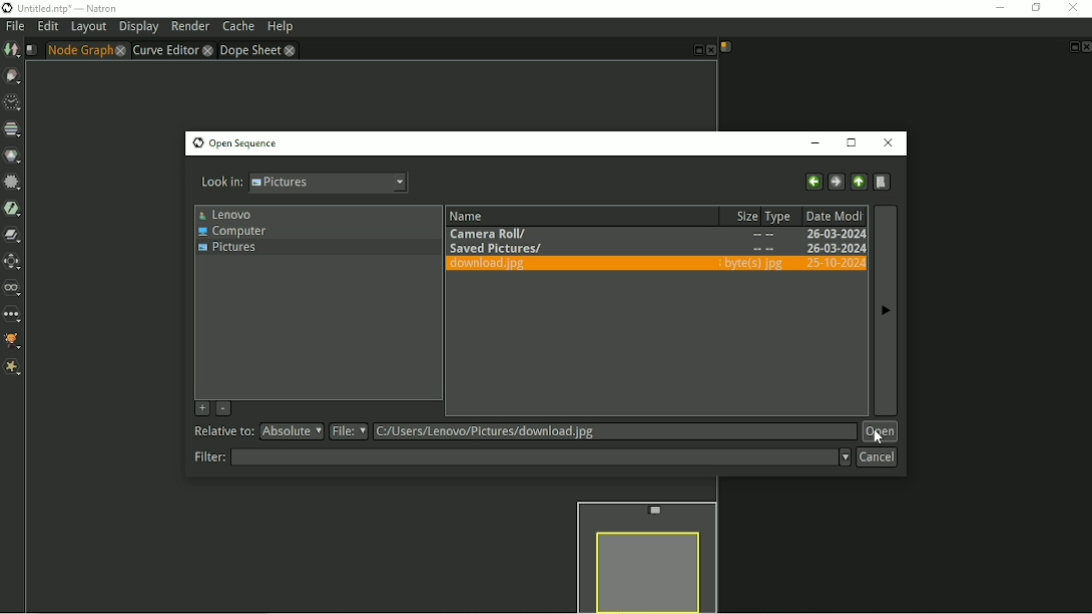  I want to click on Open, so click(880, 432).